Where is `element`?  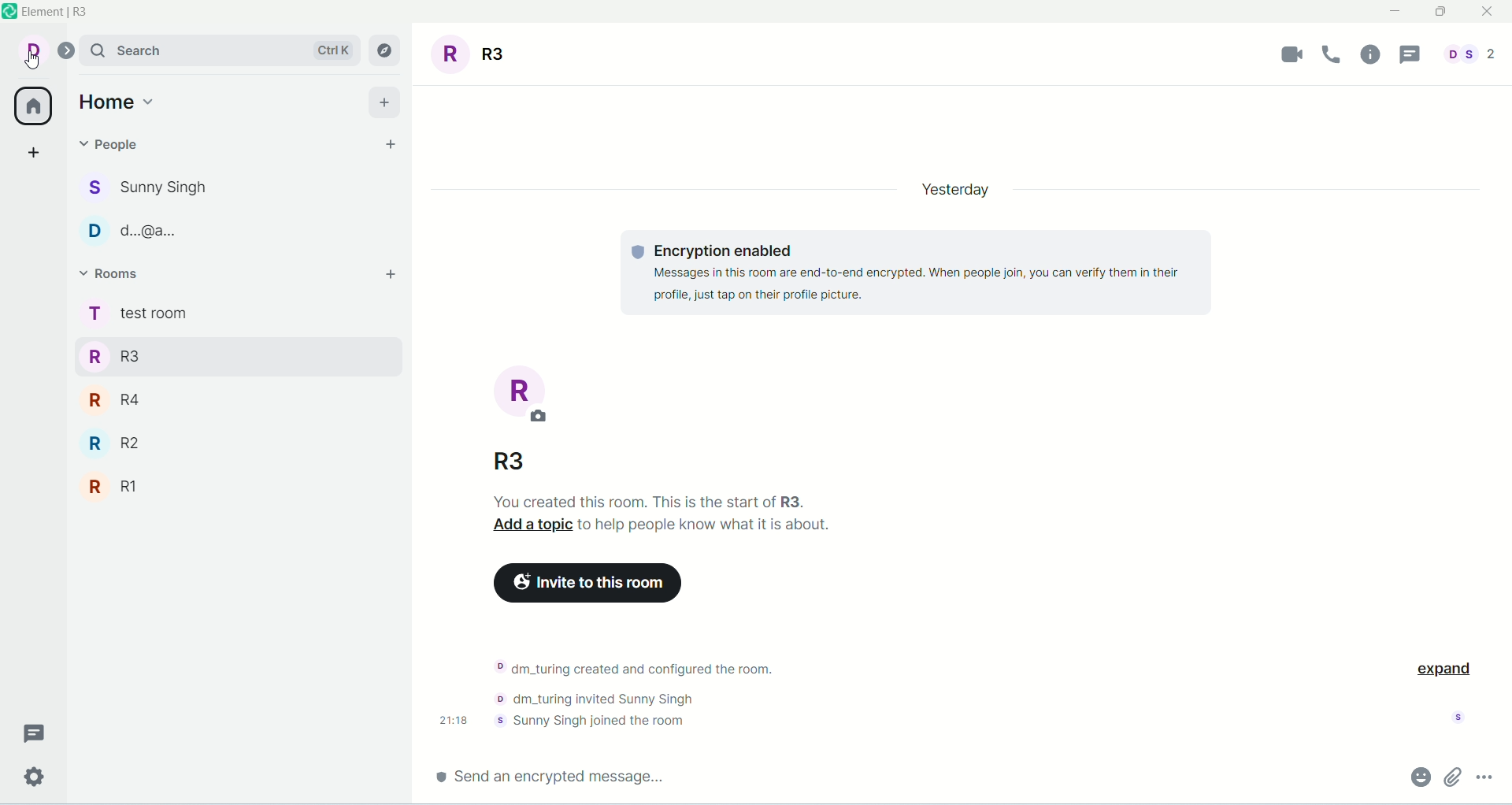
element is located at coordinates (59, 13).